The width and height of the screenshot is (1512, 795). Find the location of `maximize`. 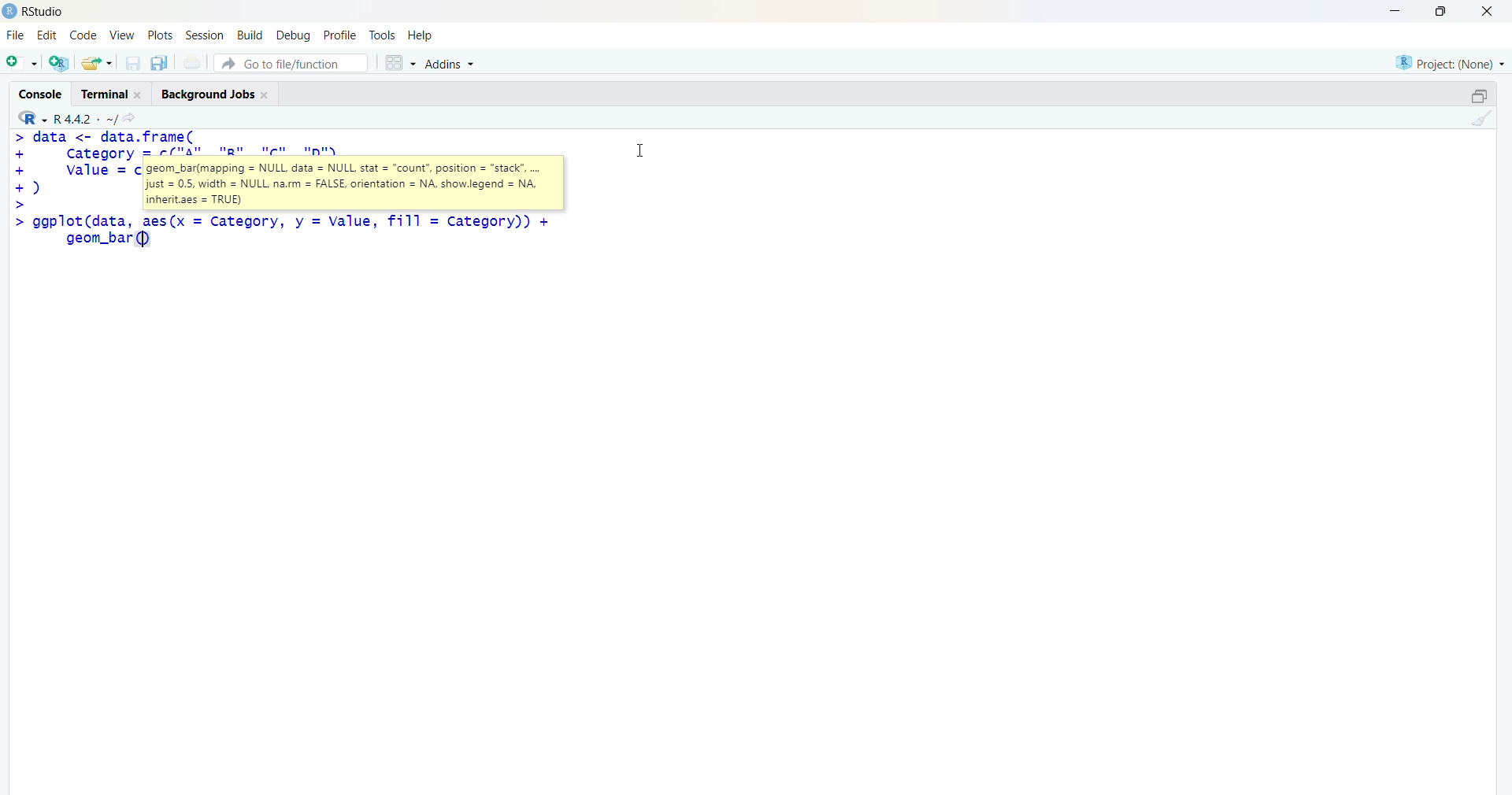

maximize is located at coordinates (1446, 11).